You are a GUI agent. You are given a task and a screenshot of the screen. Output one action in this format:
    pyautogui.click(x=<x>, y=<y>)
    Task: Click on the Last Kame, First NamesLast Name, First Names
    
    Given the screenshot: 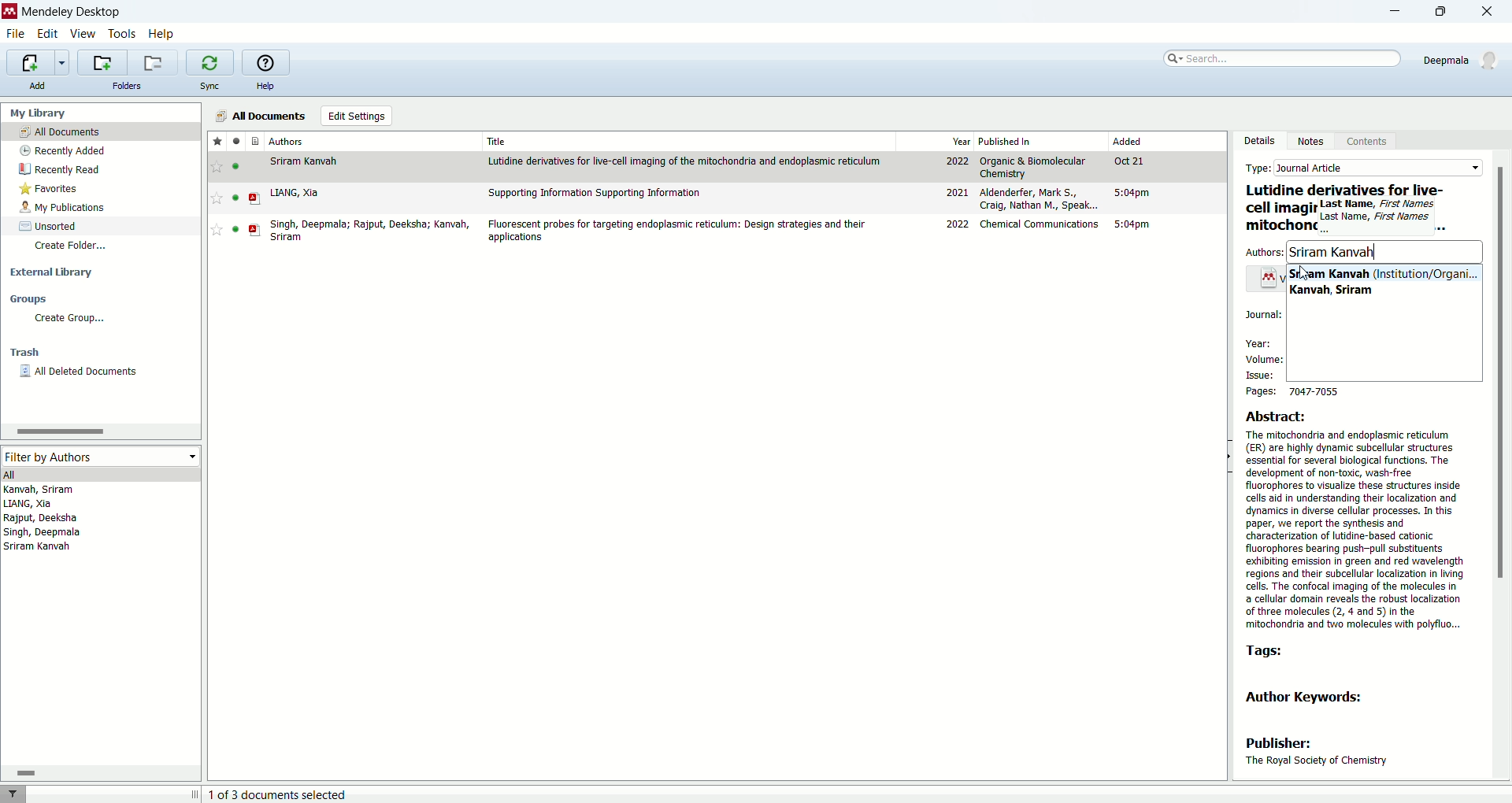 What is the action you would take?
    pyautogui.click(x=1377, y=216)
    